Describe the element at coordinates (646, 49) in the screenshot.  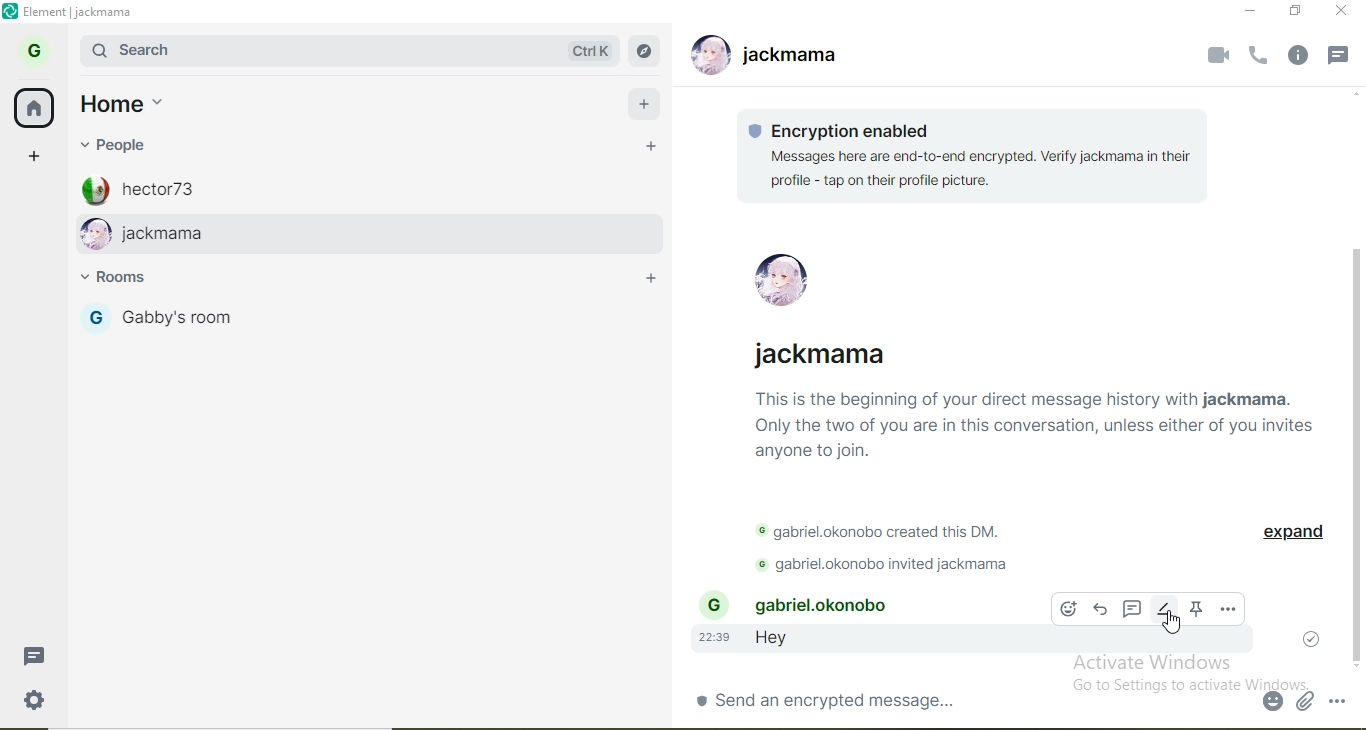
I see `navigate` at that location.